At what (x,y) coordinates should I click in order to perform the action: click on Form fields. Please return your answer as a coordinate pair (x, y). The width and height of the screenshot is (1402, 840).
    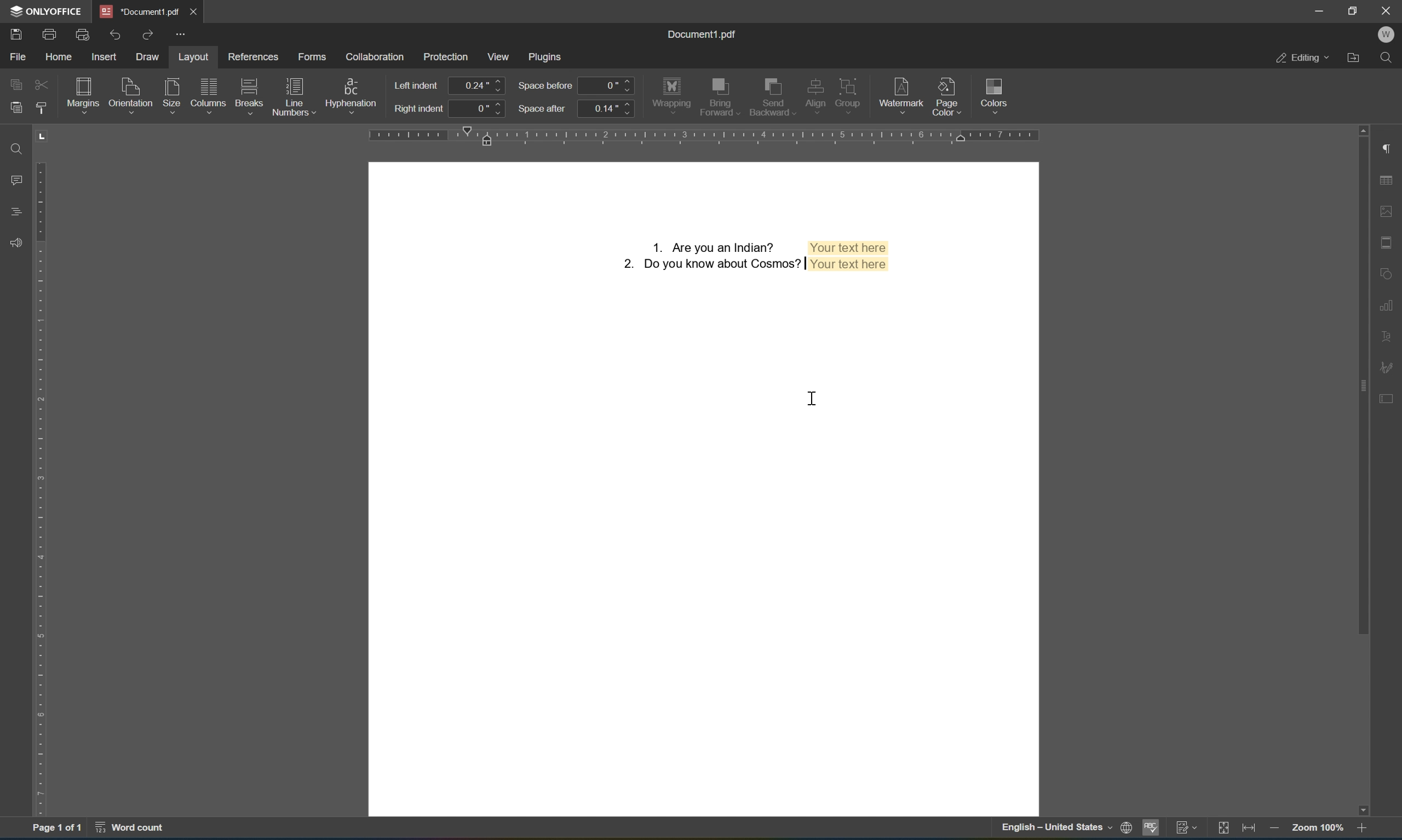
    Looking at the image, I should click on (751, 256).